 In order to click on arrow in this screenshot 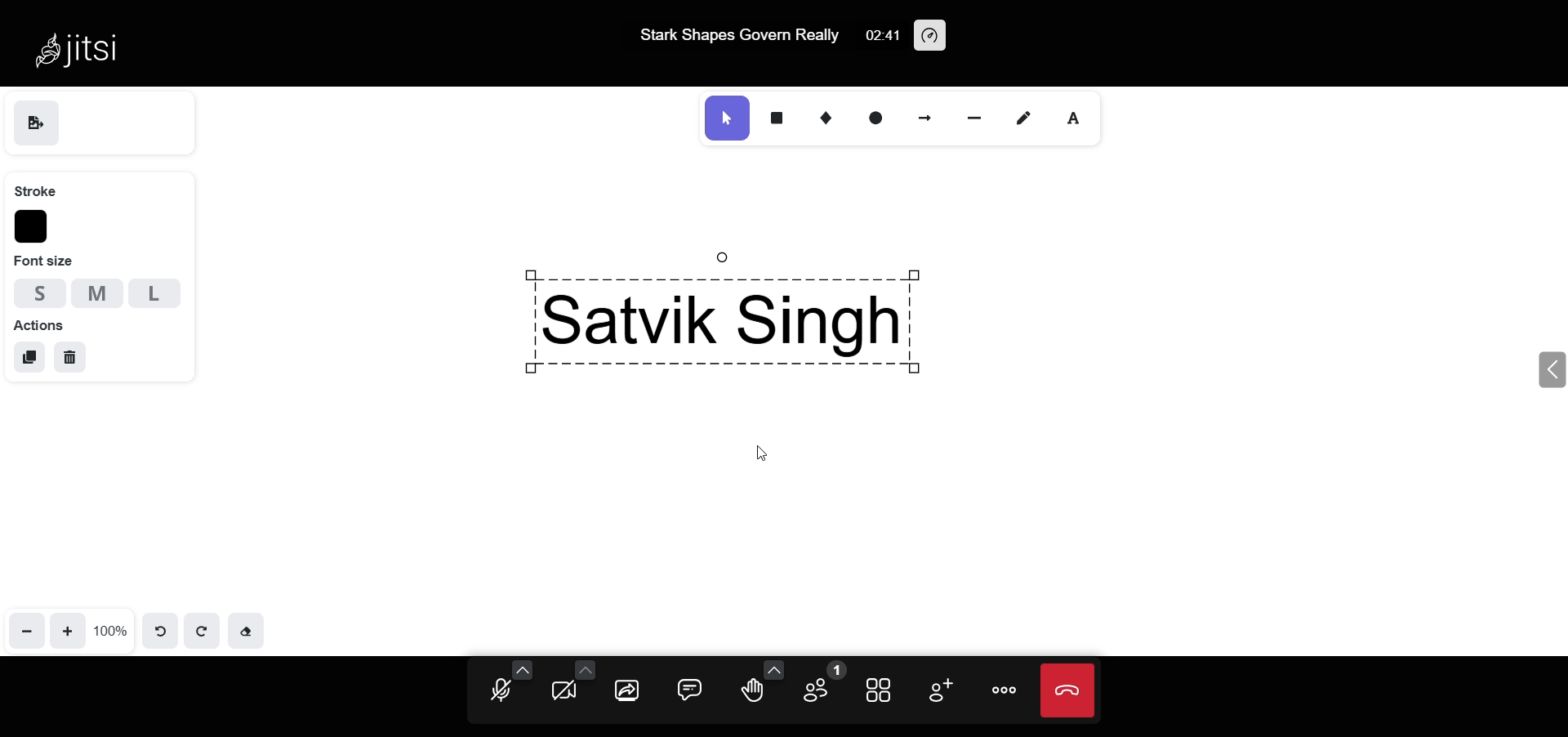, I will do `click(927, 116)`.